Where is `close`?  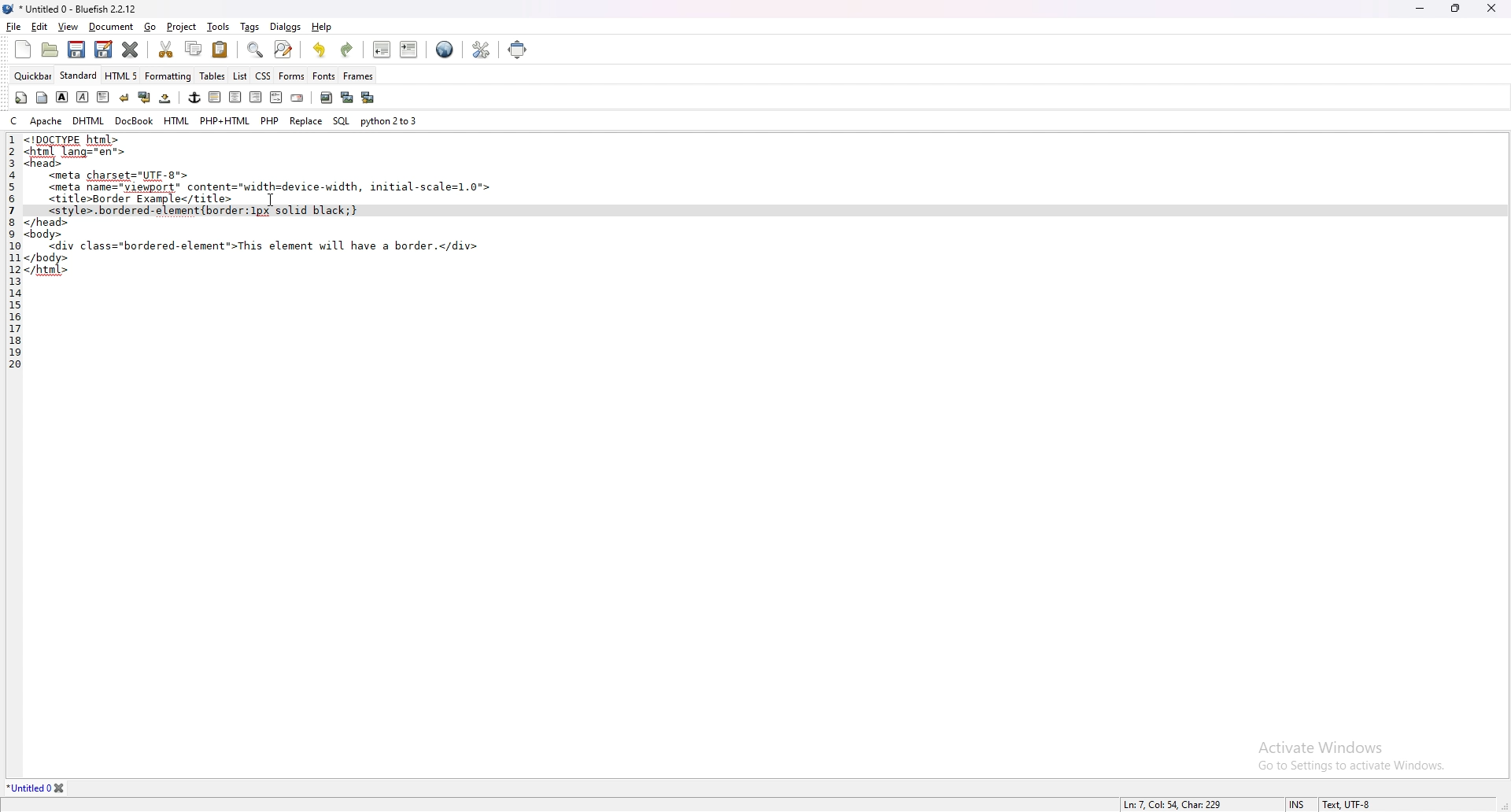 close is located at coordinates (1491, 7).